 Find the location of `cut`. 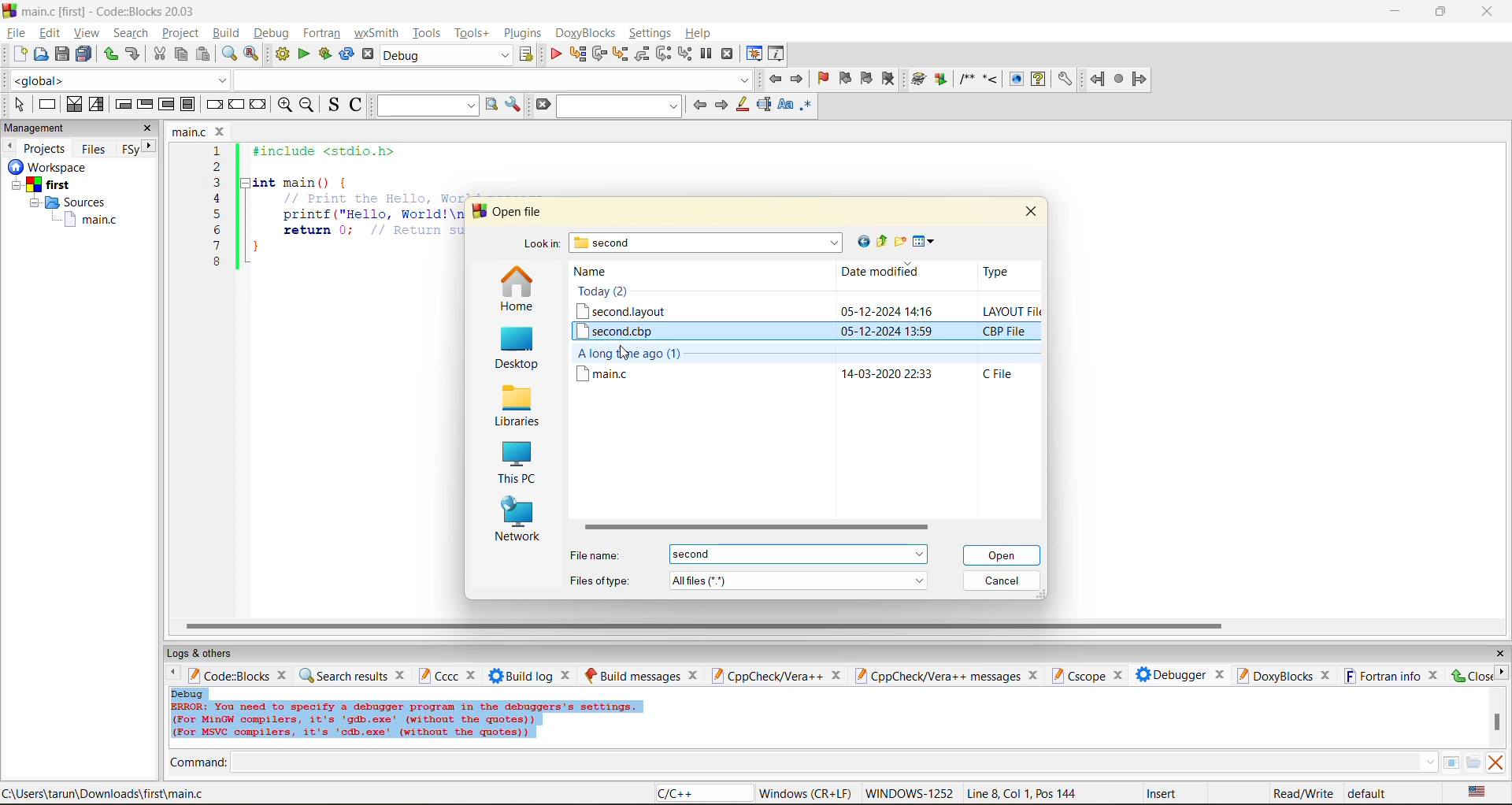

cut is located at coordinates (159, 54).